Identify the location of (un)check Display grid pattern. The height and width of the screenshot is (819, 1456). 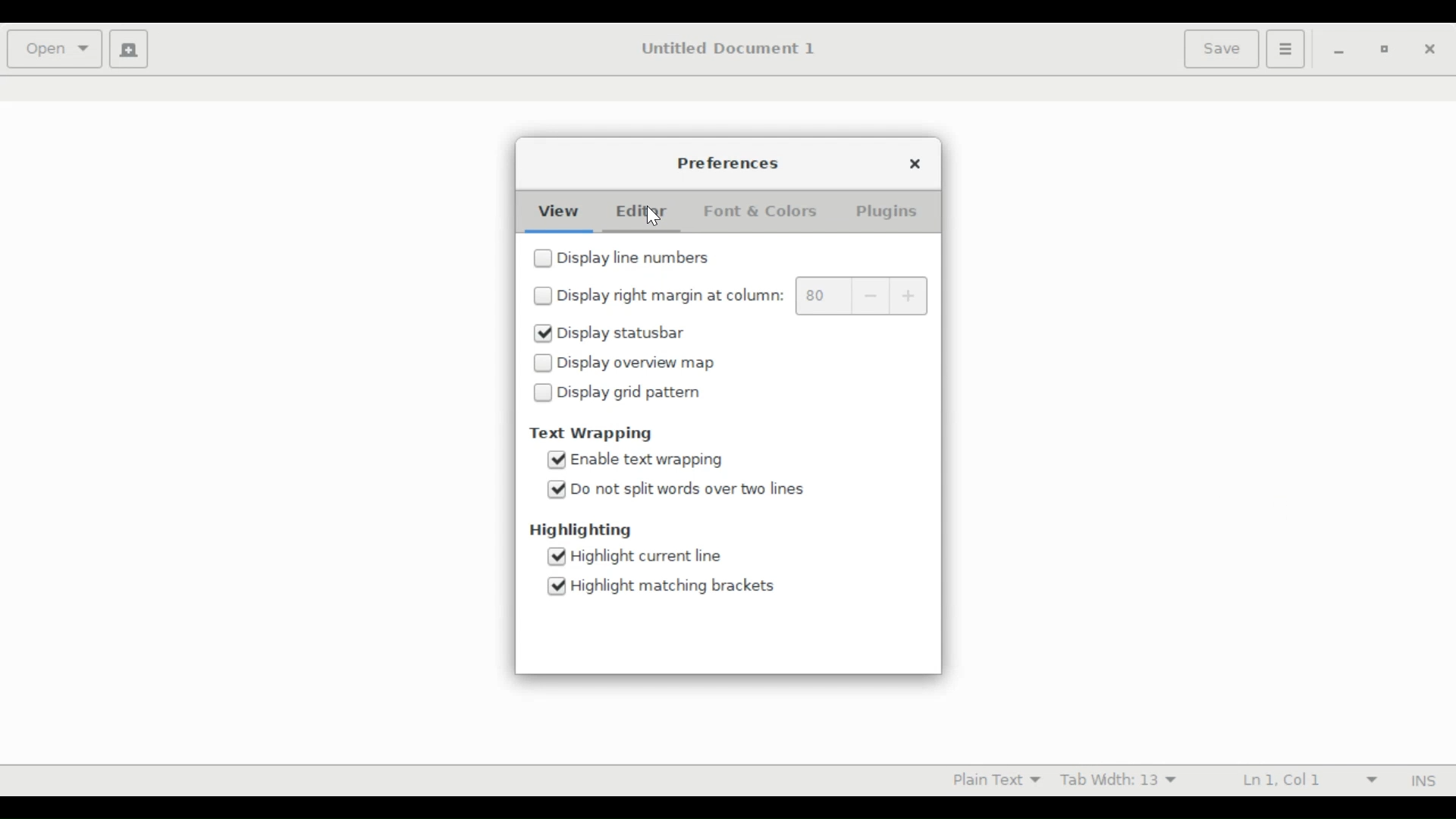
(632, 393).